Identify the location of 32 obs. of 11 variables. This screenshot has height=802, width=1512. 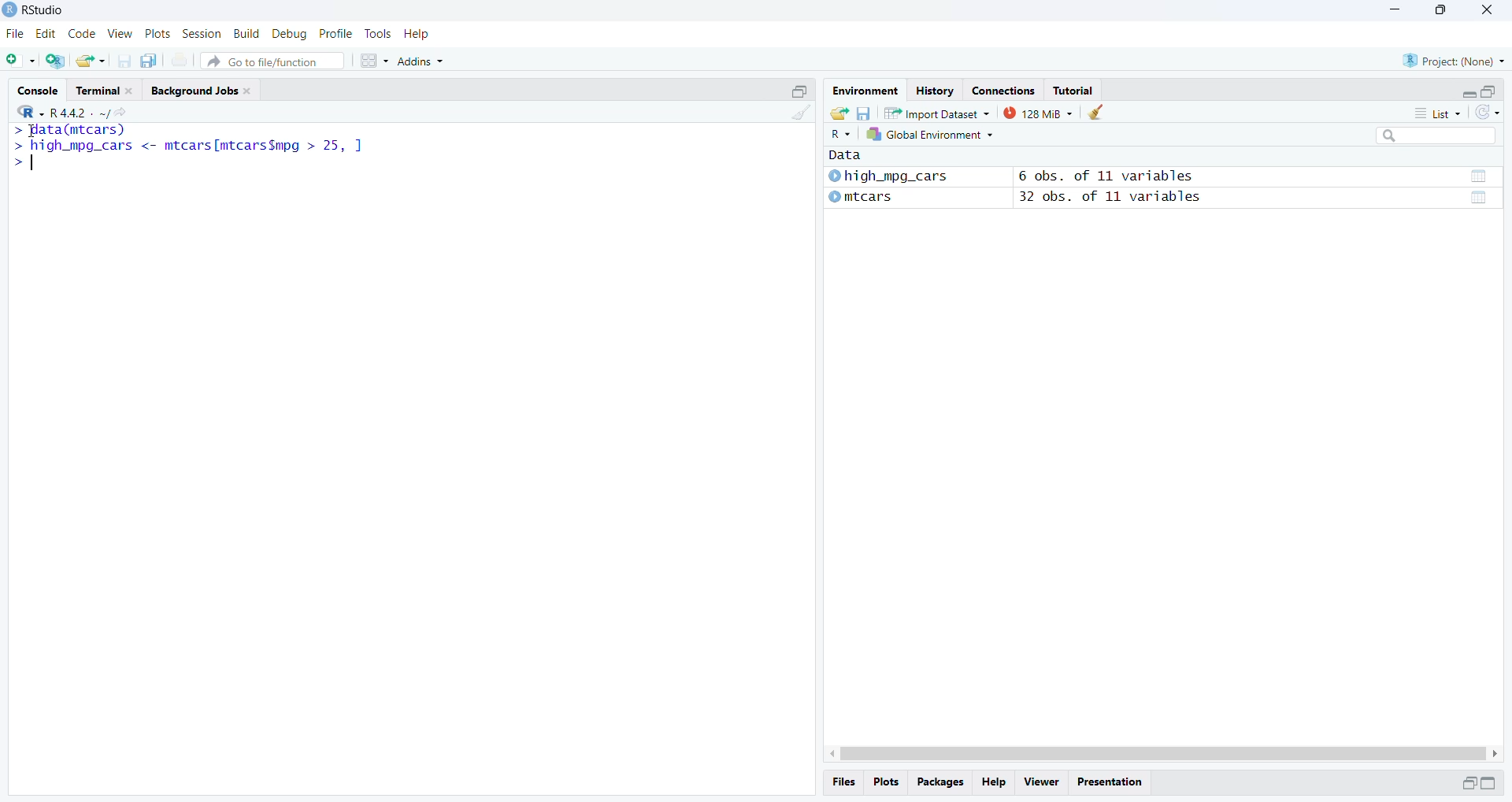
(1111, 197).